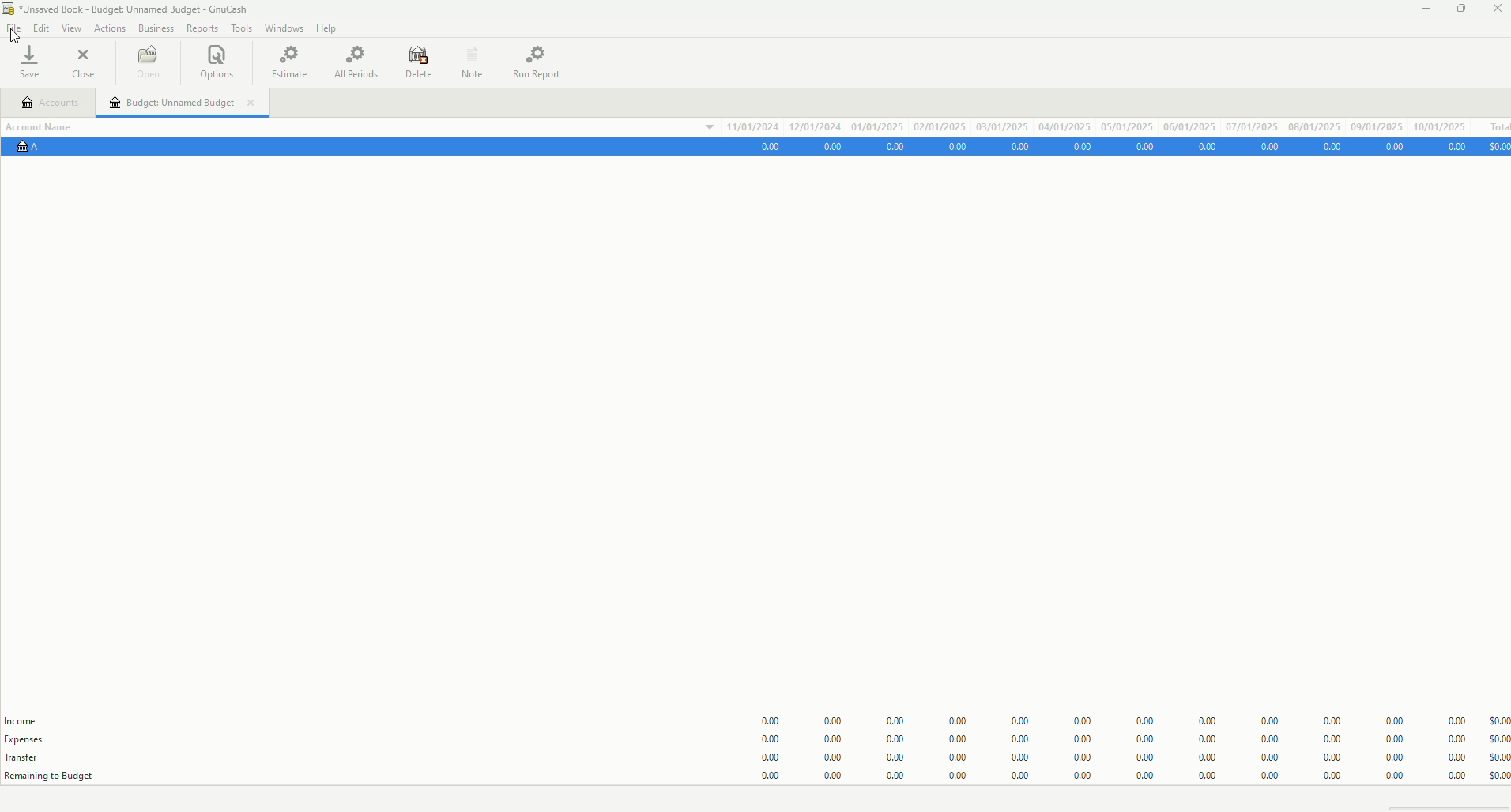 This screenshot has height=812, width=1511. What do you see at coordinates (238, 26) in the screenshot?
I see `Tools` at bounding box center [238, 26].